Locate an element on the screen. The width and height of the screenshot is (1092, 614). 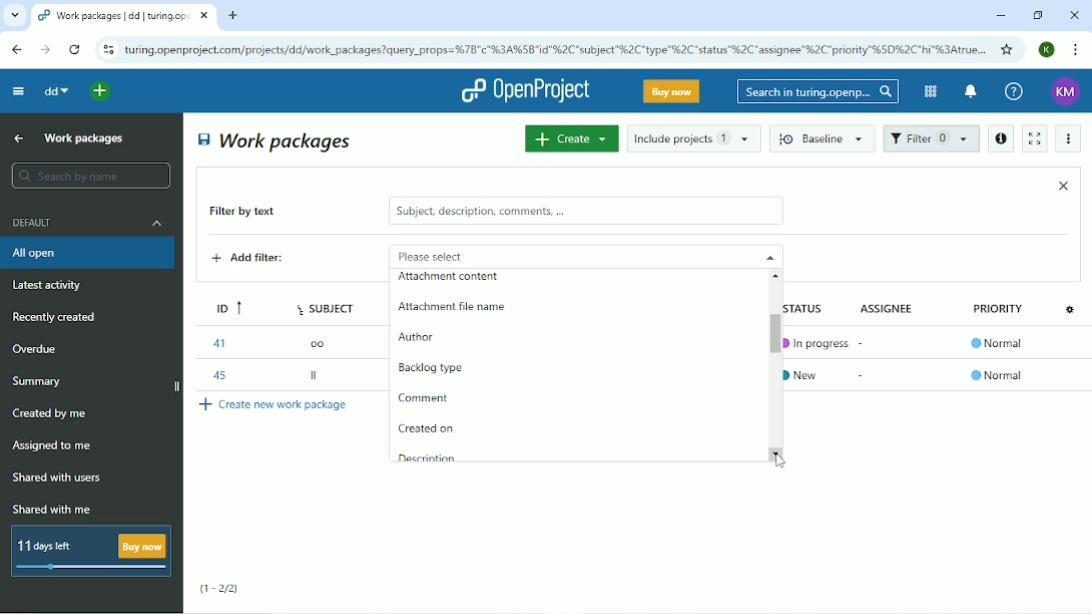
Site address is located at coordinates (555, 48).